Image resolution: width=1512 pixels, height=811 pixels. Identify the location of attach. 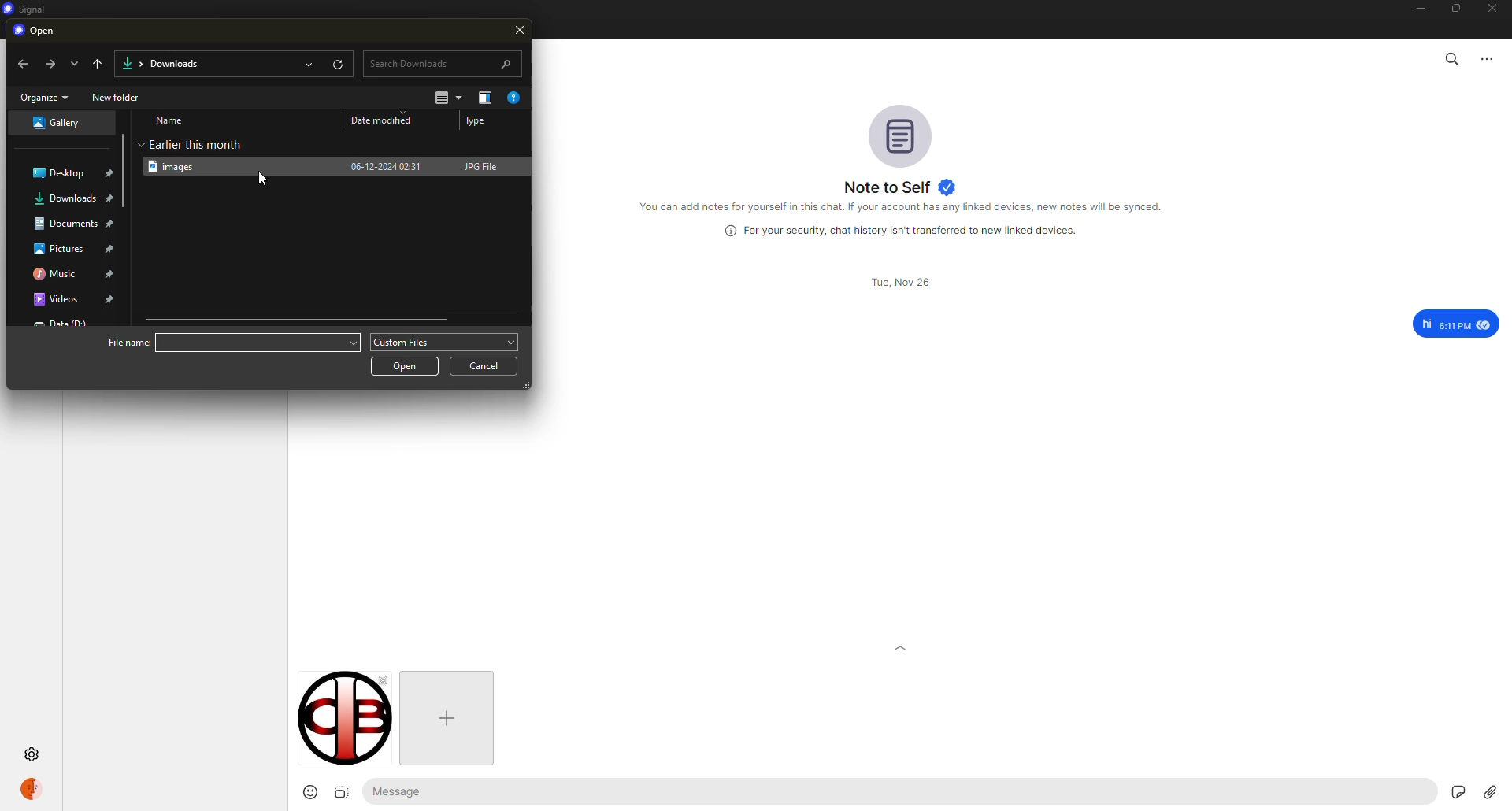
(1490, 792).